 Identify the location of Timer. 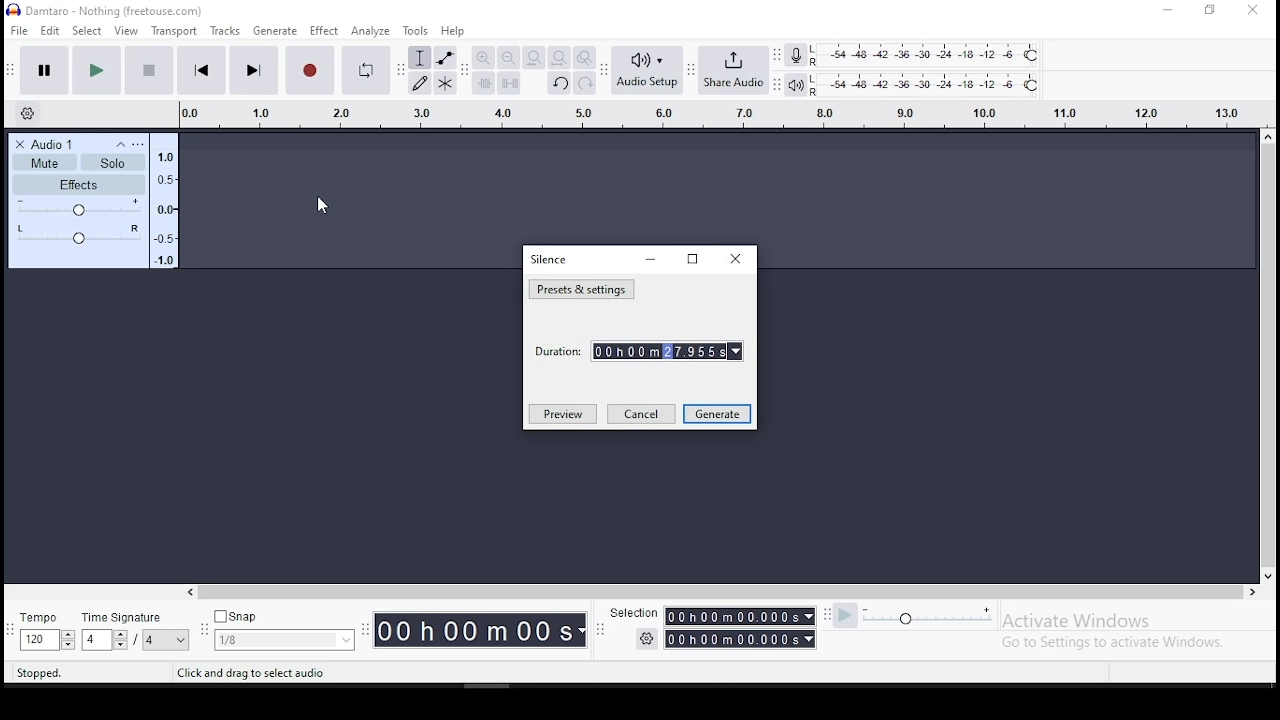
(485, 634).